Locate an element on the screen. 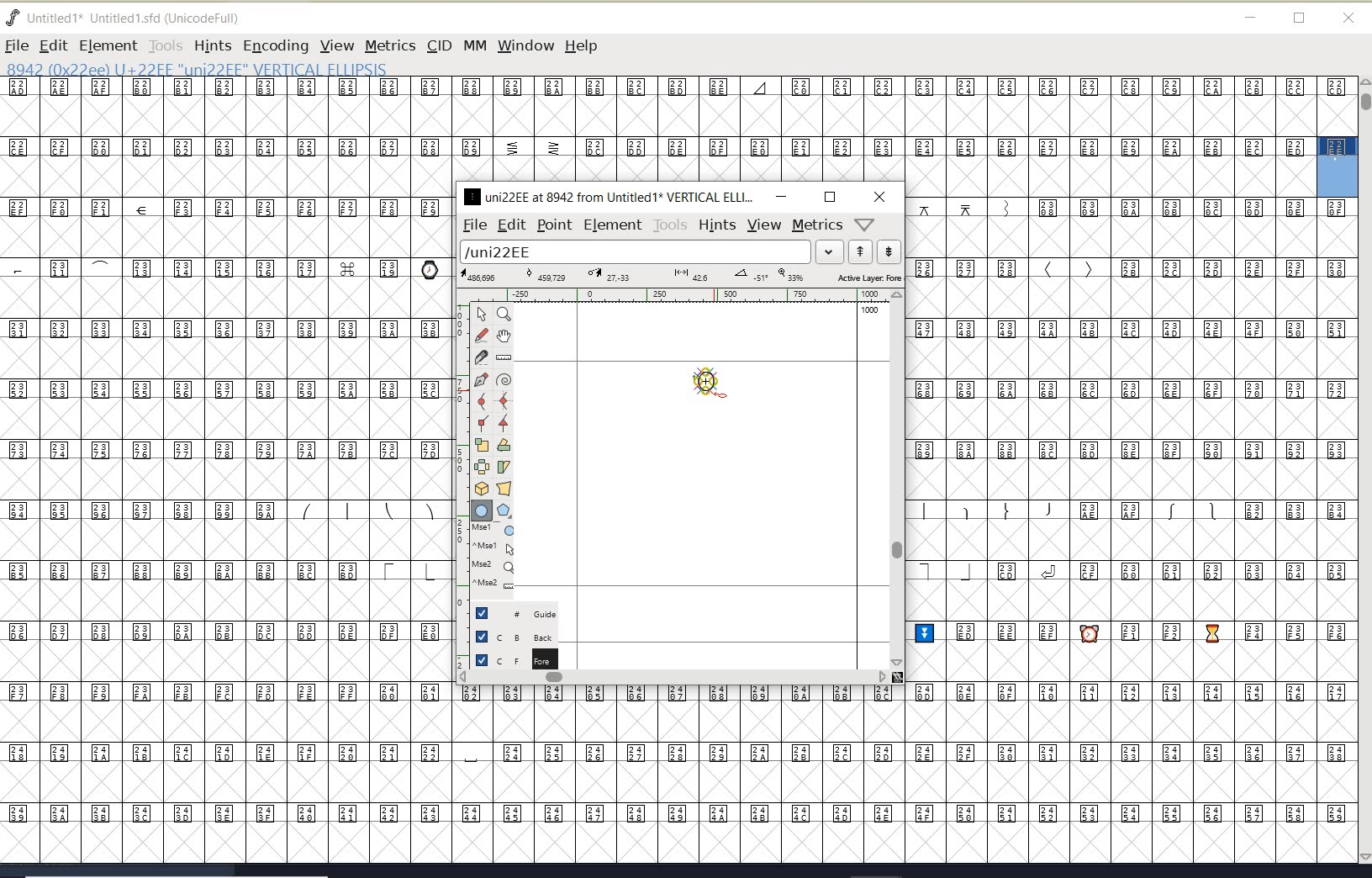 The height and width of the screenshot is (878, 1372). guide is located at coordinates (522, 611).